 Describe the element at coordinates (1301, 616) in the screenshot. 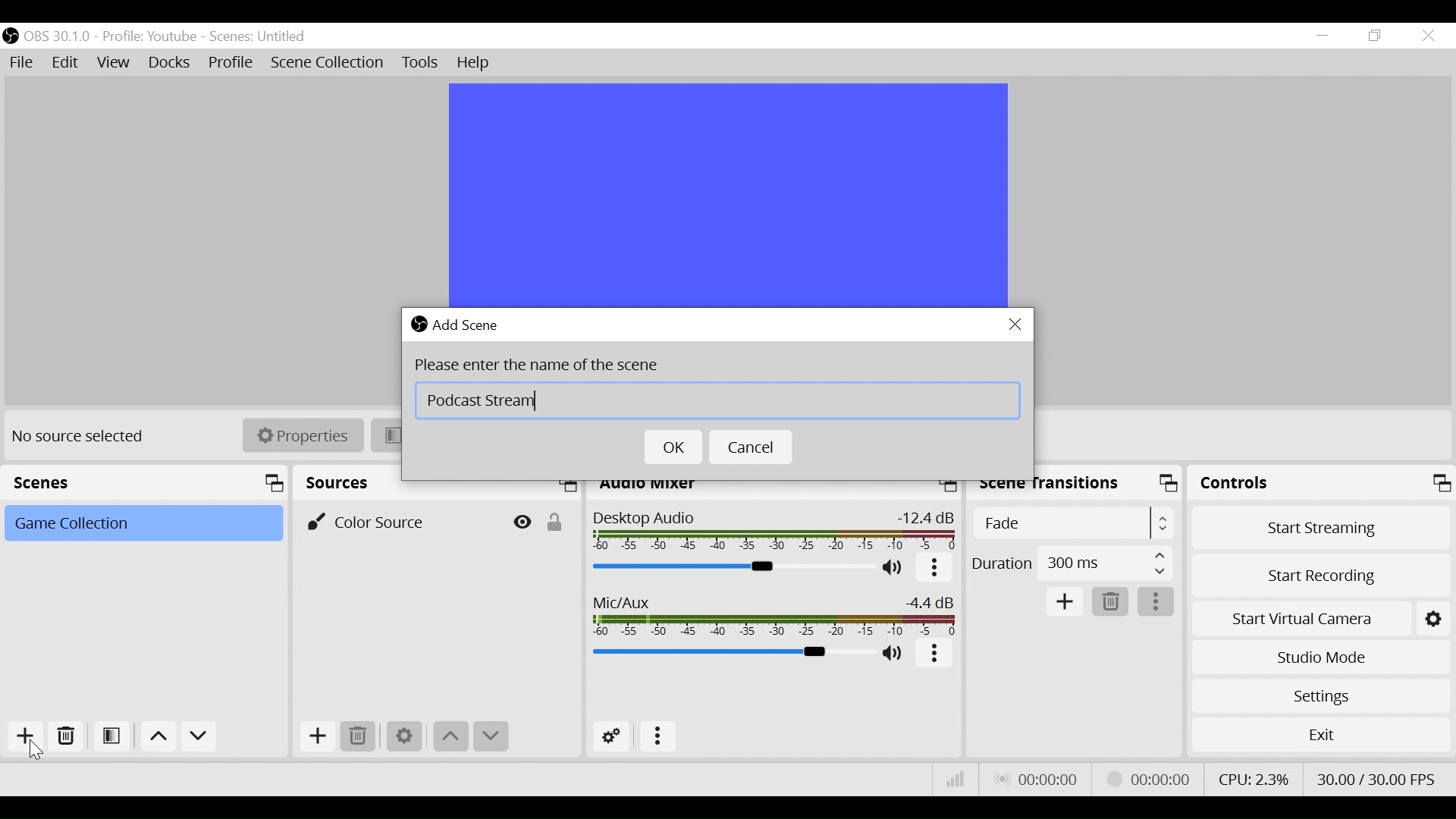

I see `Start Virtual Camera` at that location.